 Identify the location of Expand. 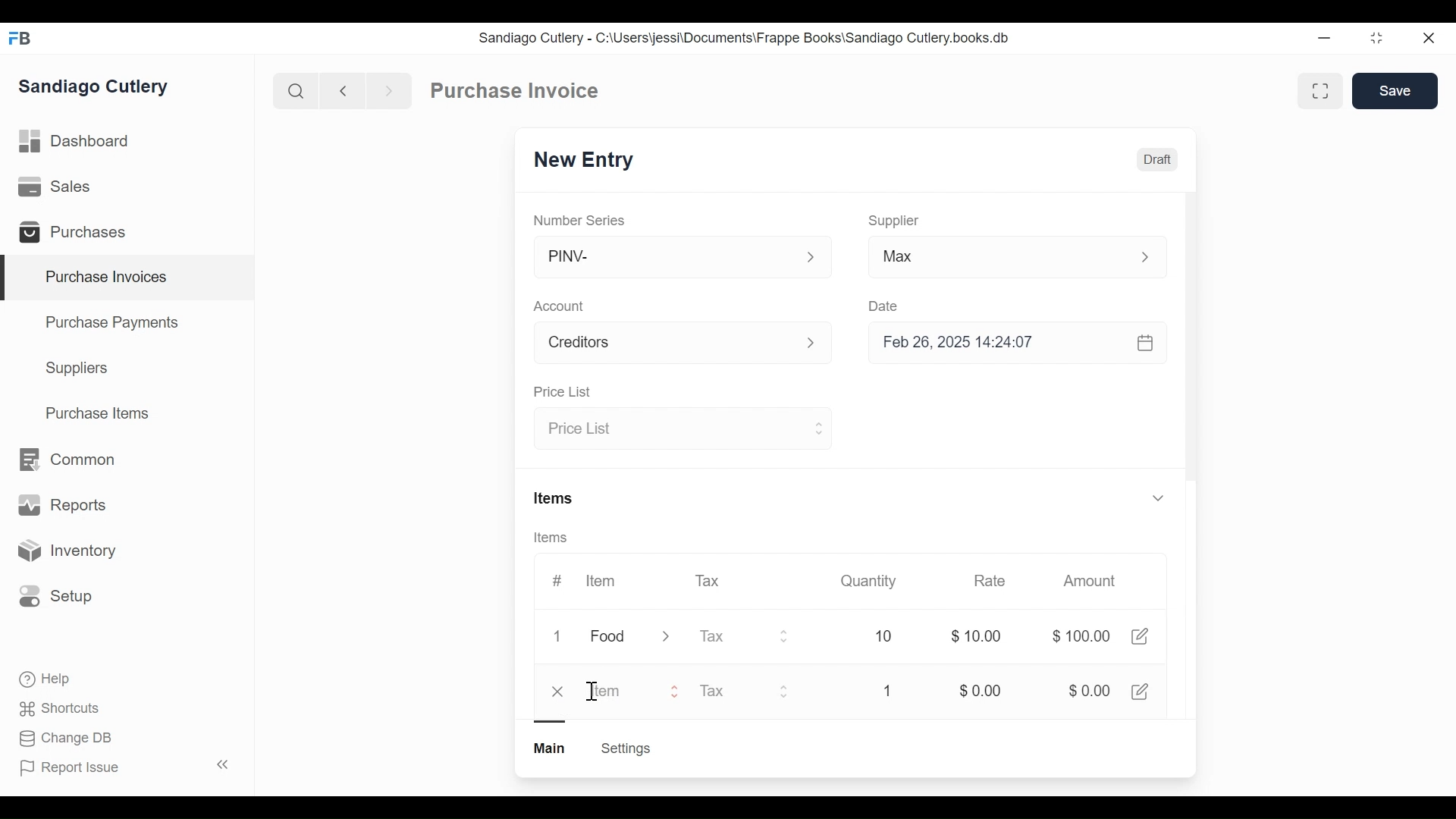
(817, 427).